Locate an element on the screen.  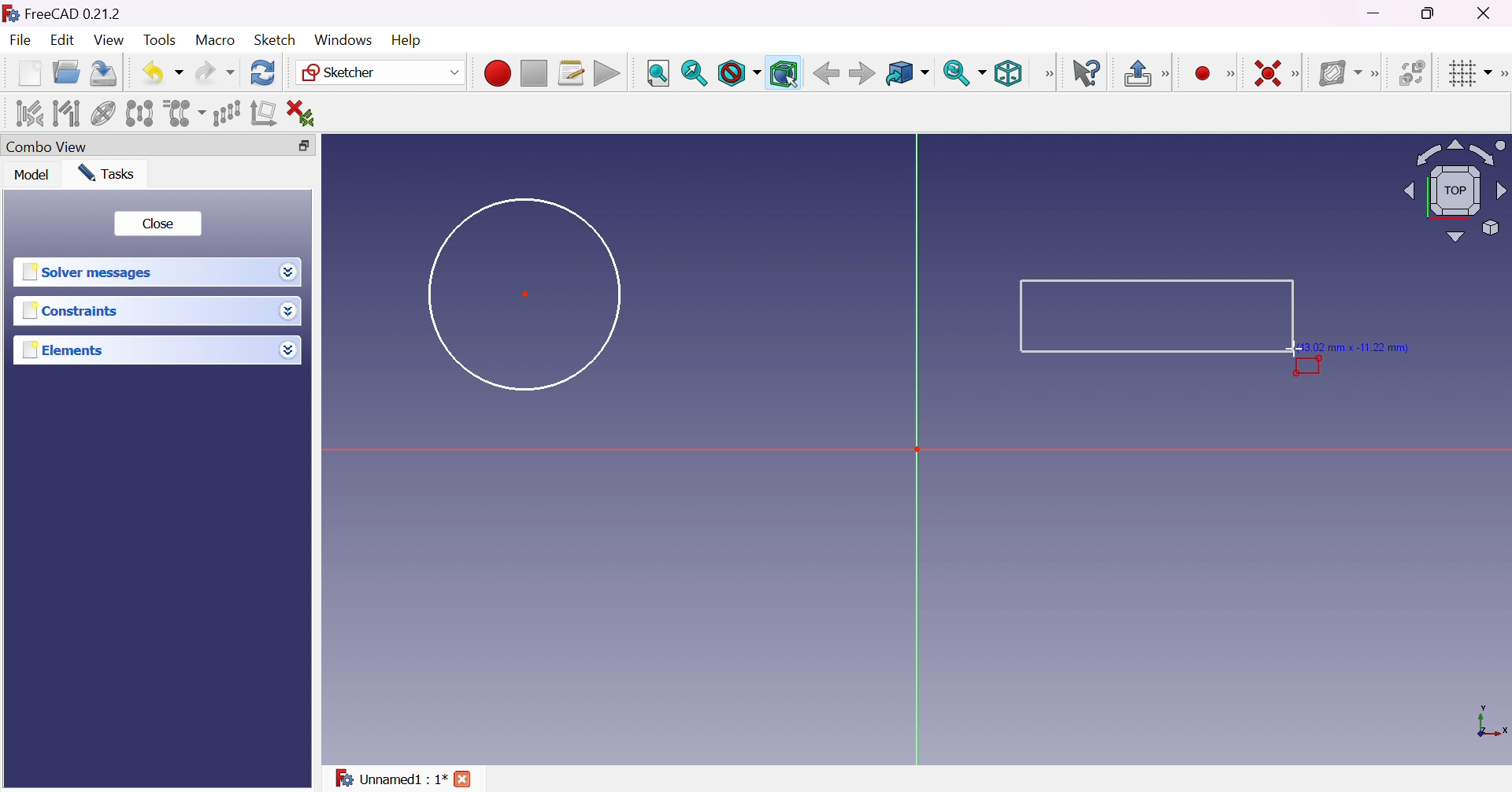
cursor is located at coordinates (1297, 349).